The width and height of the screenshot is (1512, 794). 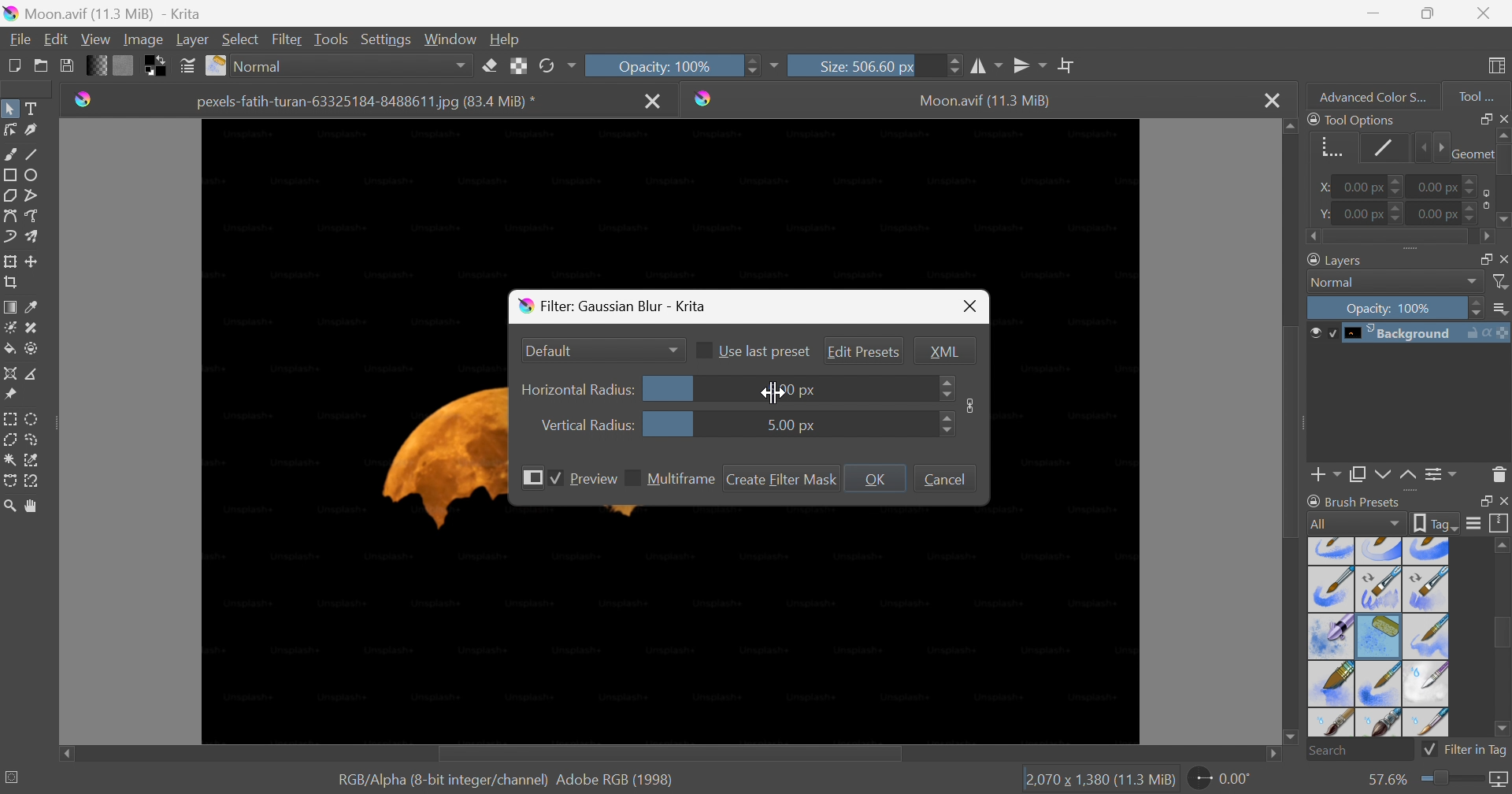 I want to click on Restore down, so click(x=1480, y=500).